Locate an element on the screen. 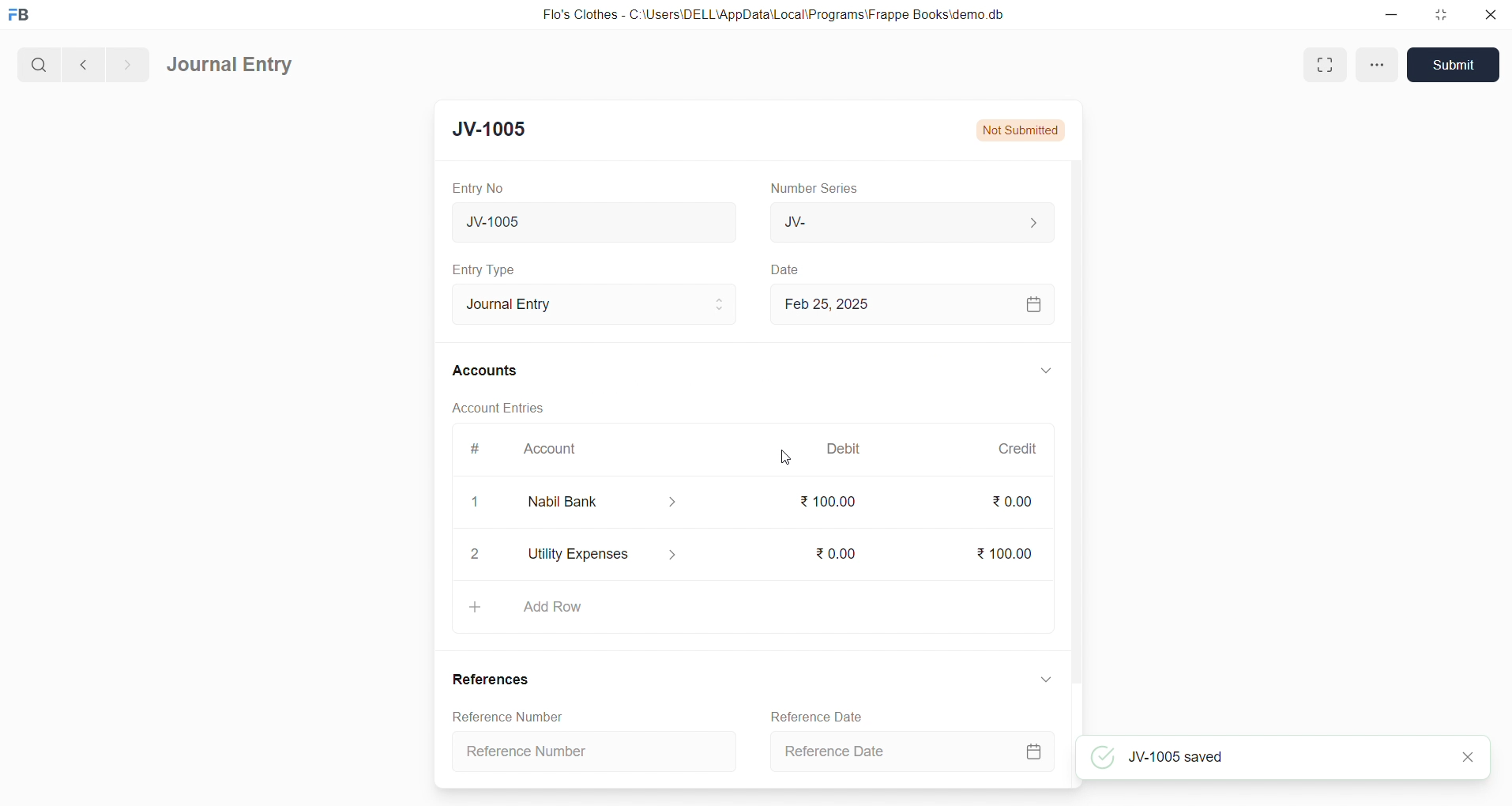  Credit is located at coordinates (1017, 448).